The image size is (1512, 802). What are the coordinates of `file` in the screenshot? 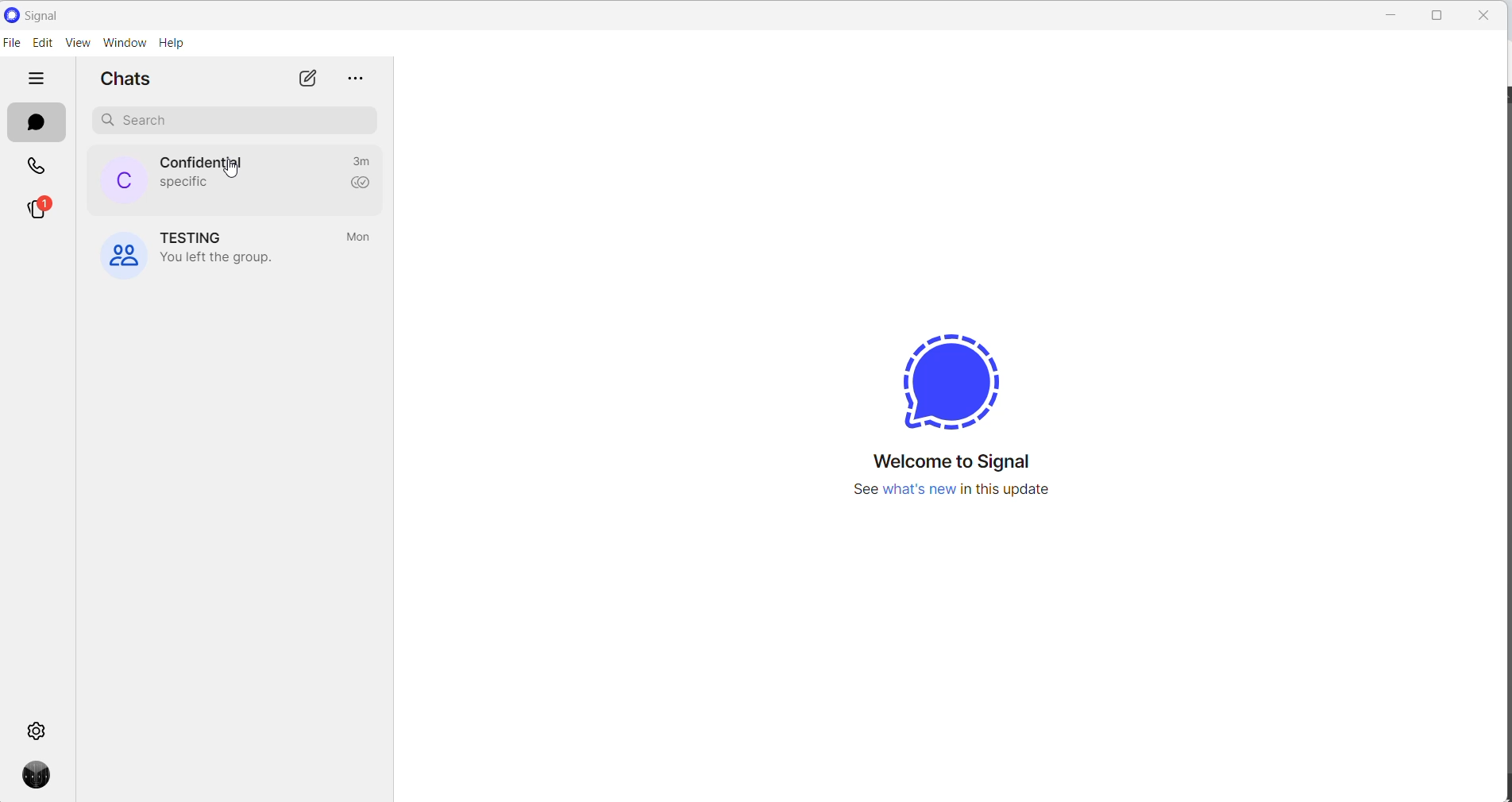 It's located at (12, 44).